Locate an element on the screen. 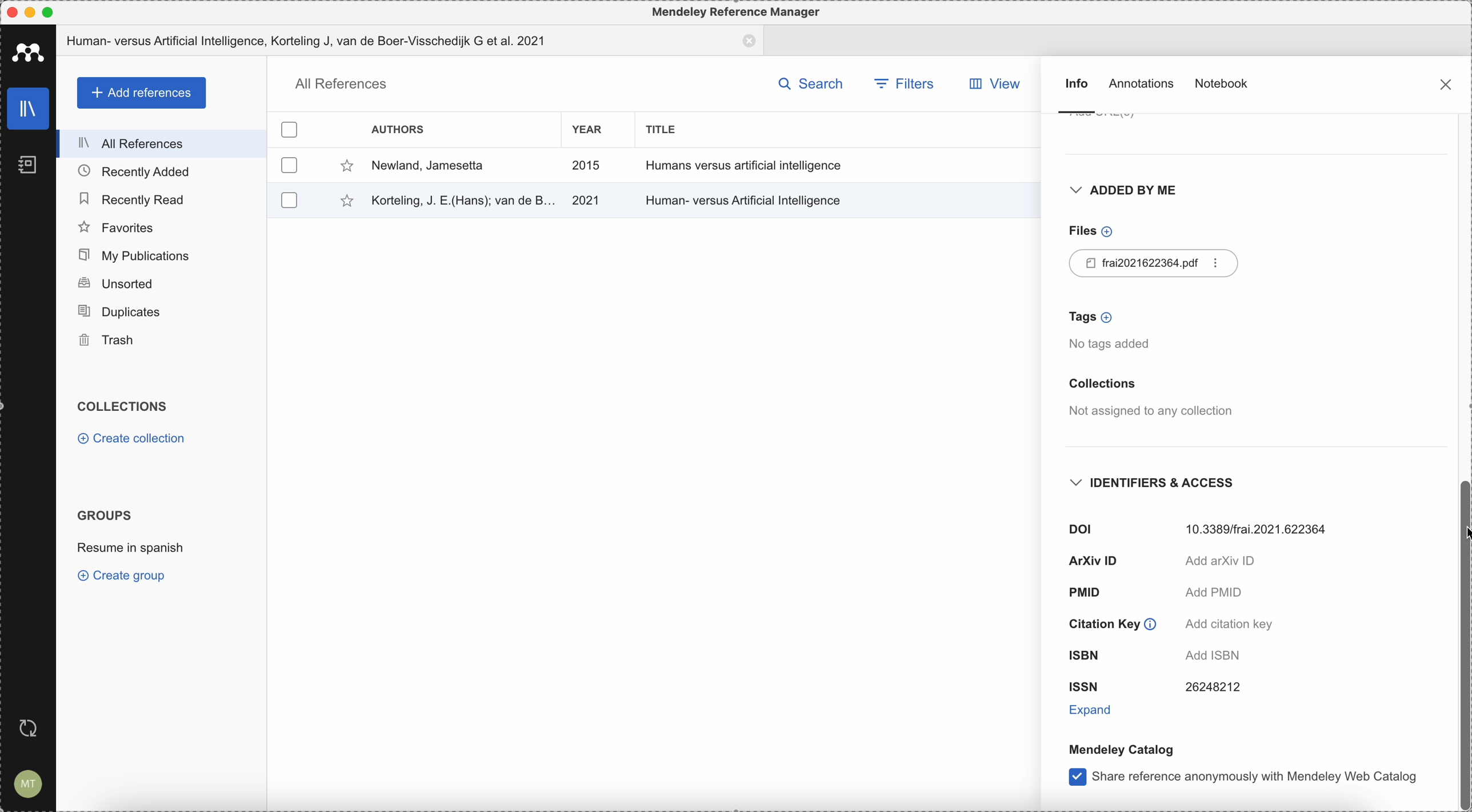 Image resolution: width=1472 pixels, height=812 pixels. notebooks is located at coordinates (22, 160).